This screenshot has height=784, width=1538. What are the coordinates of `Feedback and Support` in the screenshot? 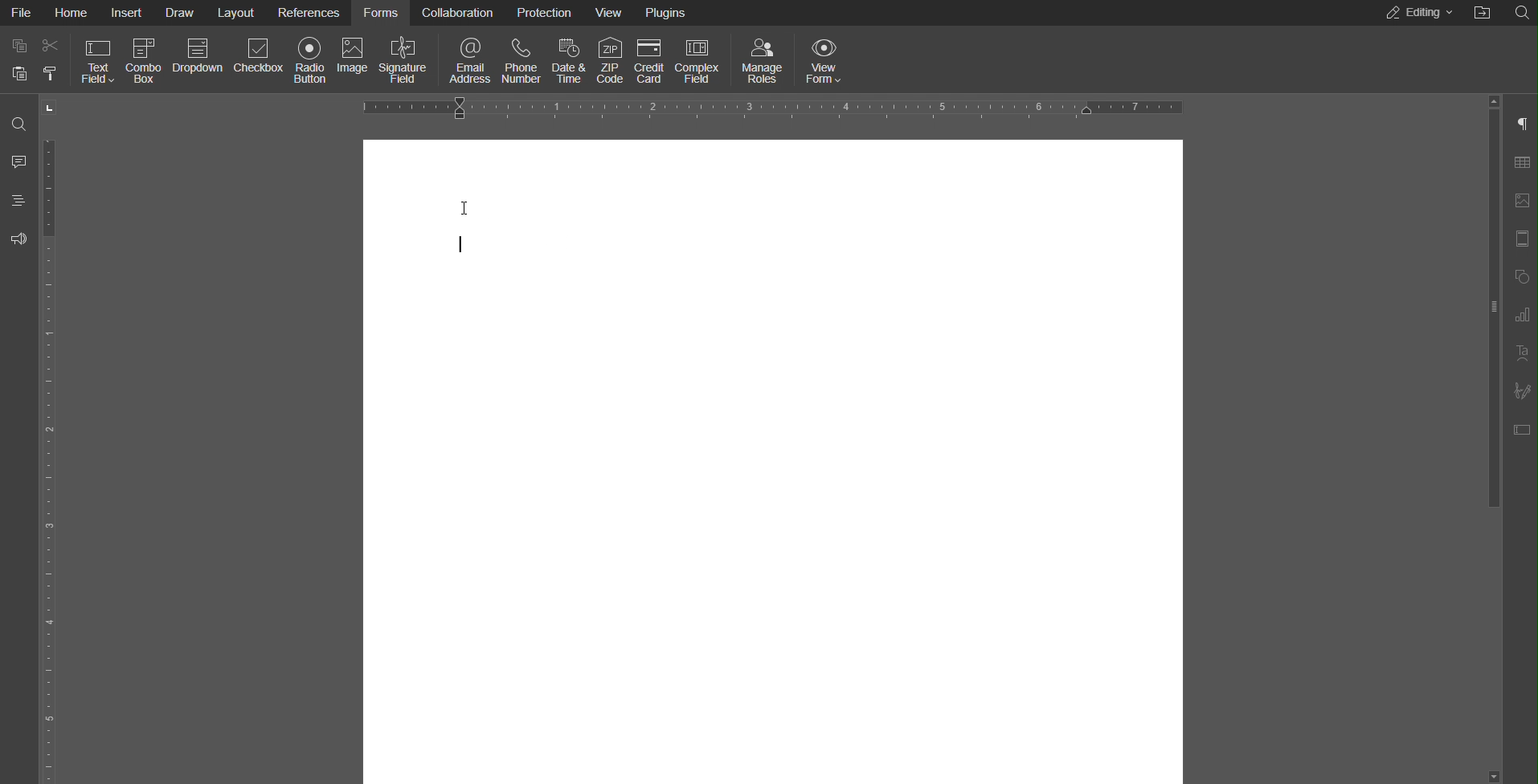 It's located at (19, 238).